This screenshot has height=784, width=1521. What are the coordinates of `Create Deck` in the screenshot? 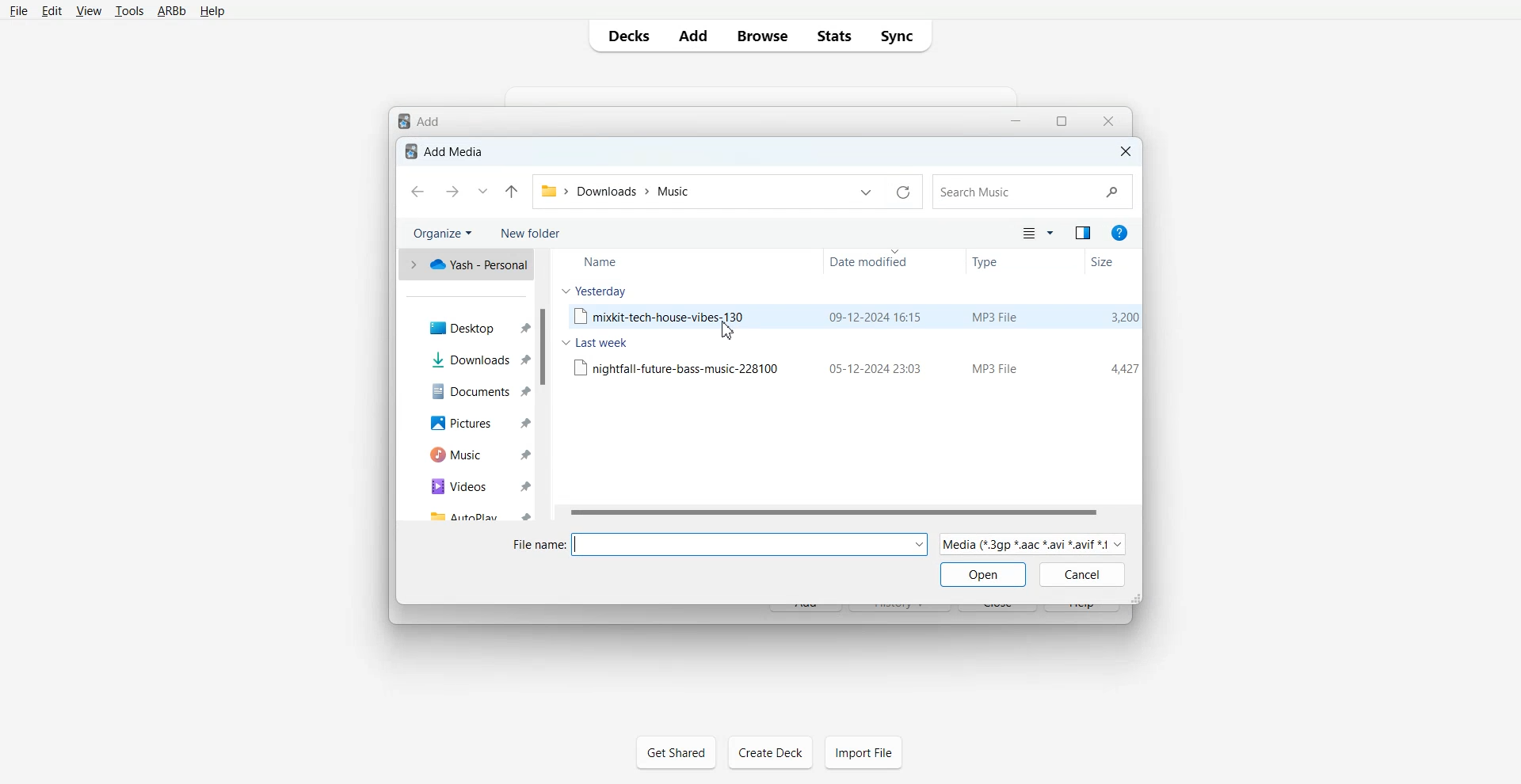 It's located at (770, 752).